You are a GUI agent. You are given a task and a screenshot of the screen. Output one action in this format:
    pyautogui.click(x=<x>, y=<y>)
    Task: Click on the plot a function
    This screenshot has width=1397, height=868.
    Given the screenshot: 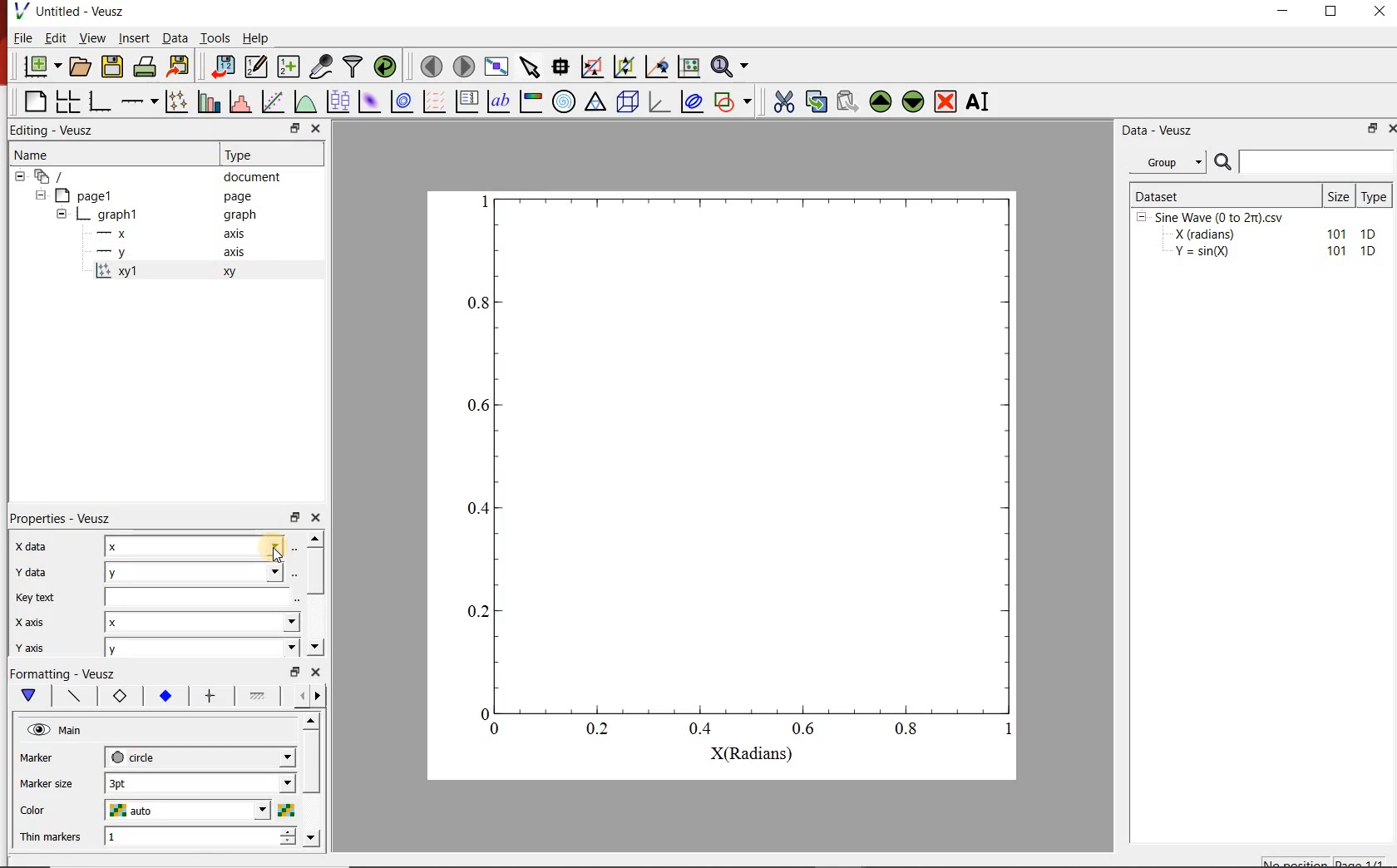 What is the action you would take?
    pyautogui.click(x=307, y=101)
    